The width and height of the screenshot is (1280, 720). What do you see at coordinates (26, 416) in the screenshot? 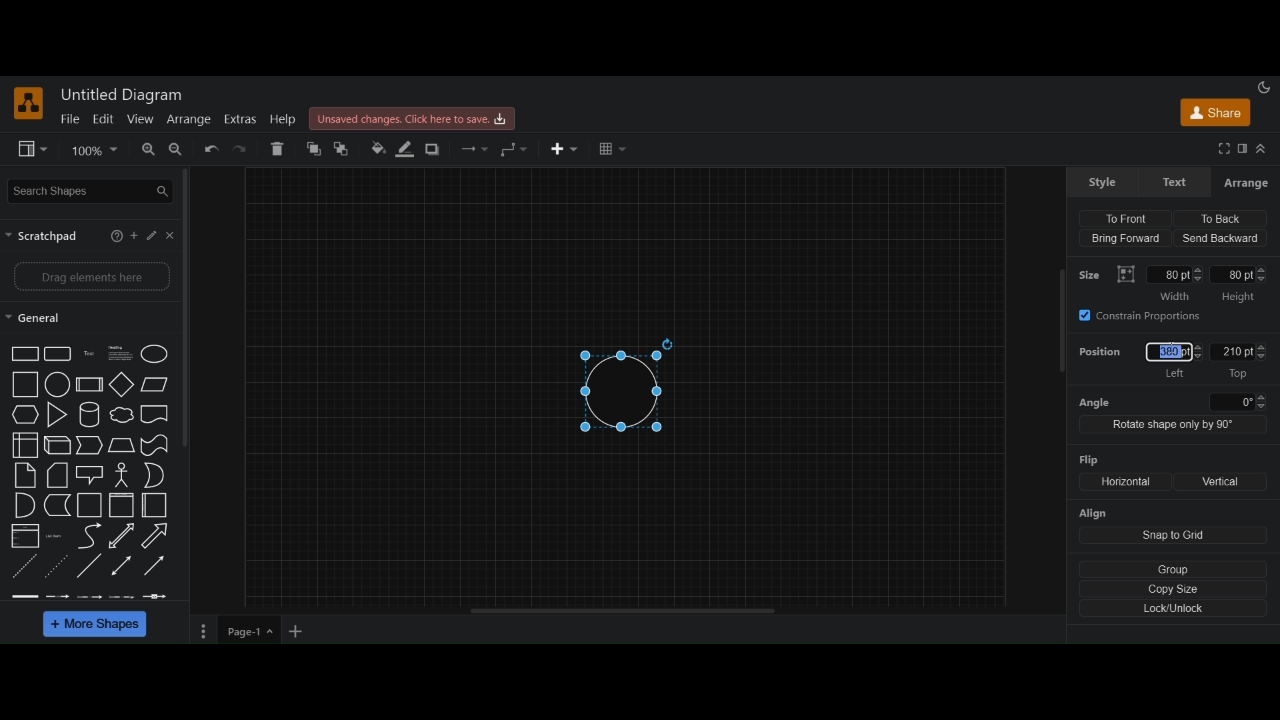
I see `hexagon` at bounding box center [26, 416].